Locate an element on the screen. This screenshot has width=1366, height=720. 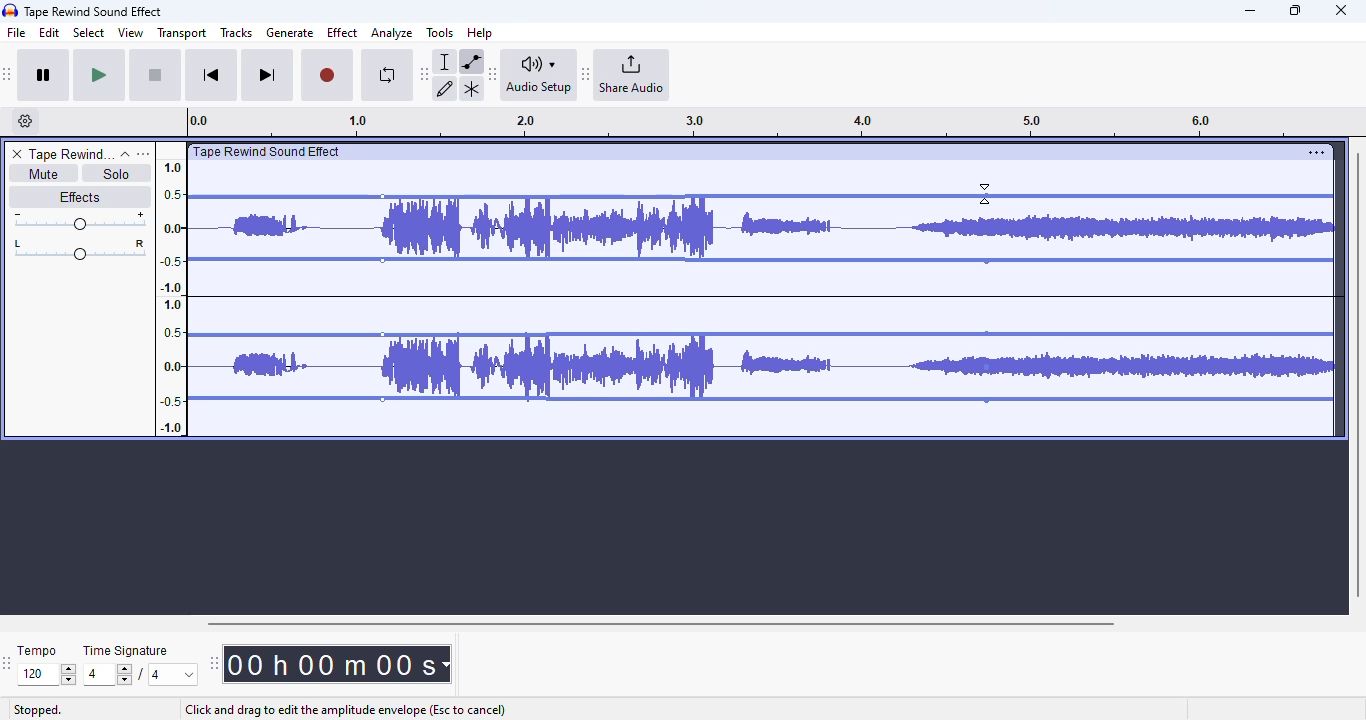
Max. time signature options is located at coordinates (174, 674).